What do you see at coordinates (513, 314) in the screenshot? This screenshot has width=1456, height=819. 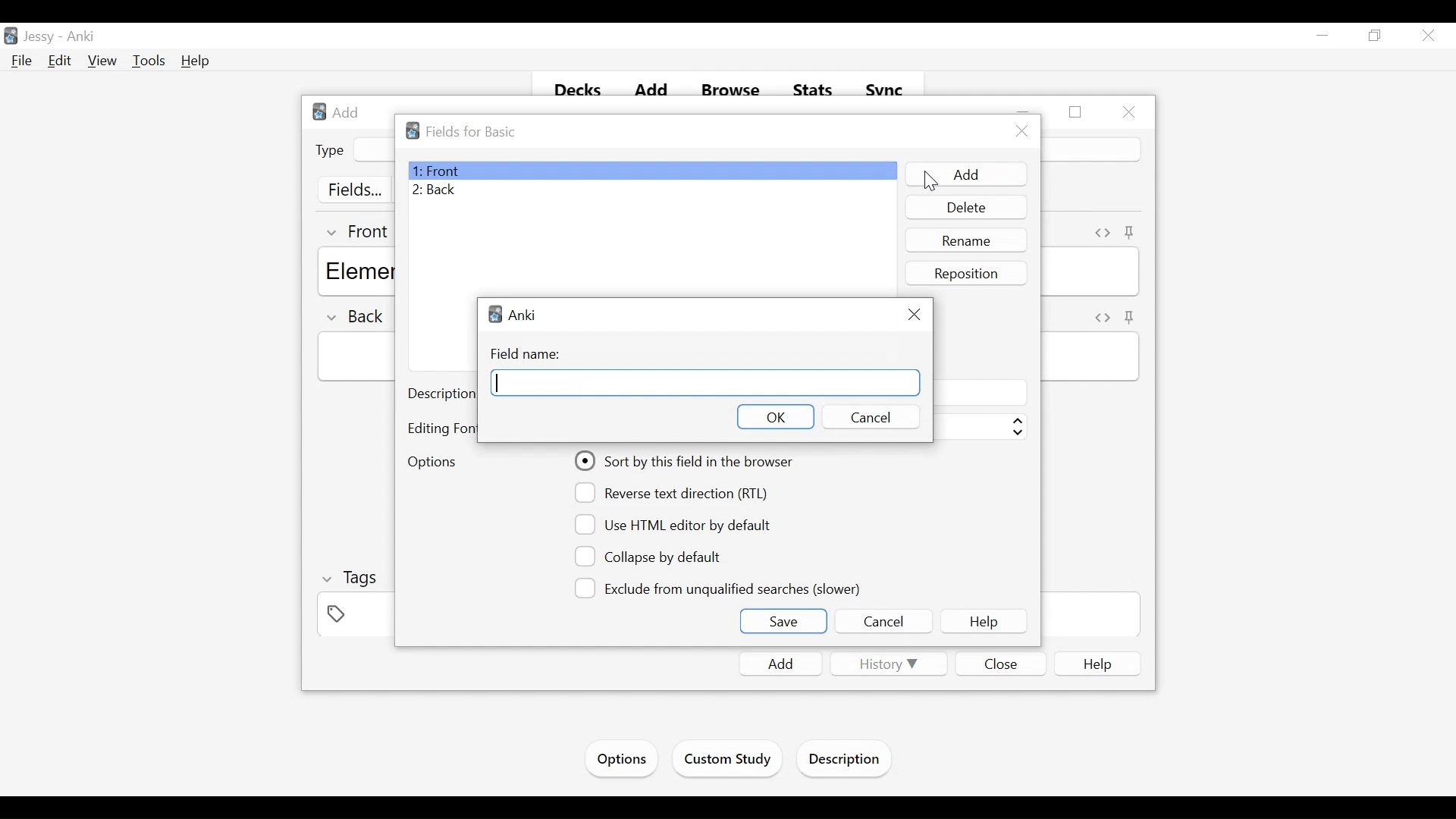 I see `Anki` at bounding box center [513, 314].